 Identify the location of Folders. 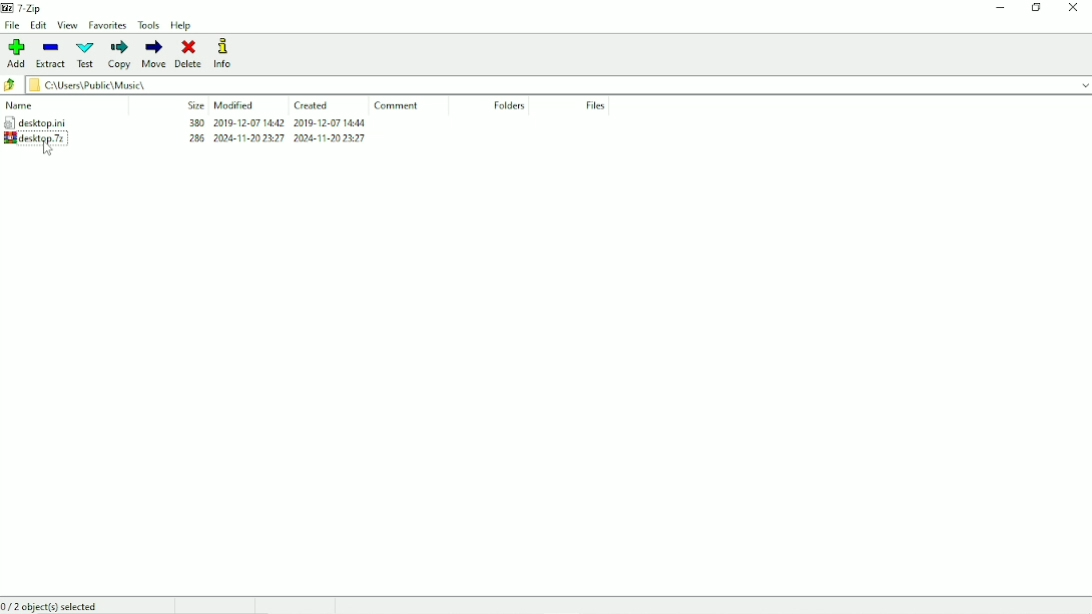
(511, 105).